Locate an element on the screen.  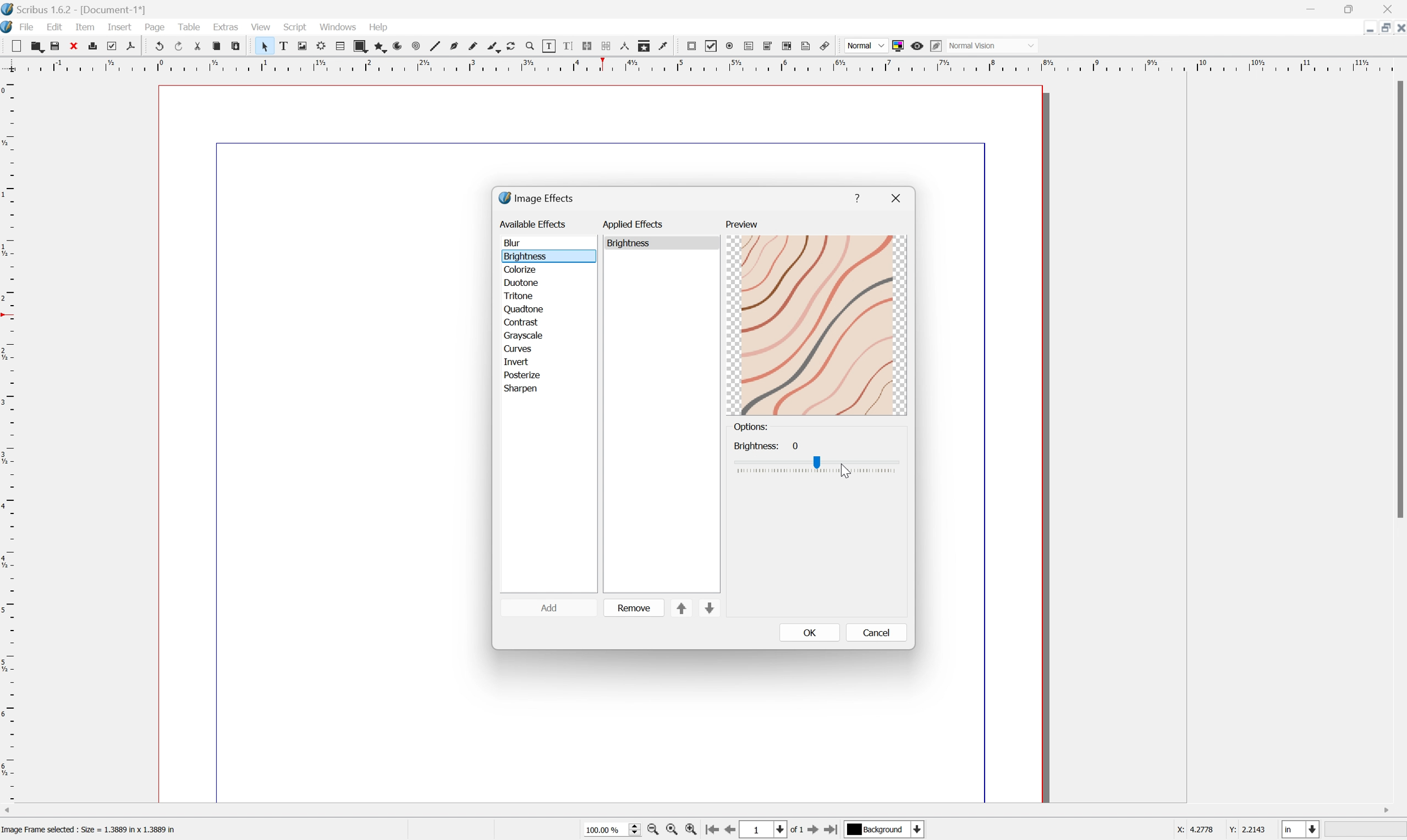
Link annotation is located at coordinates (827, 44).